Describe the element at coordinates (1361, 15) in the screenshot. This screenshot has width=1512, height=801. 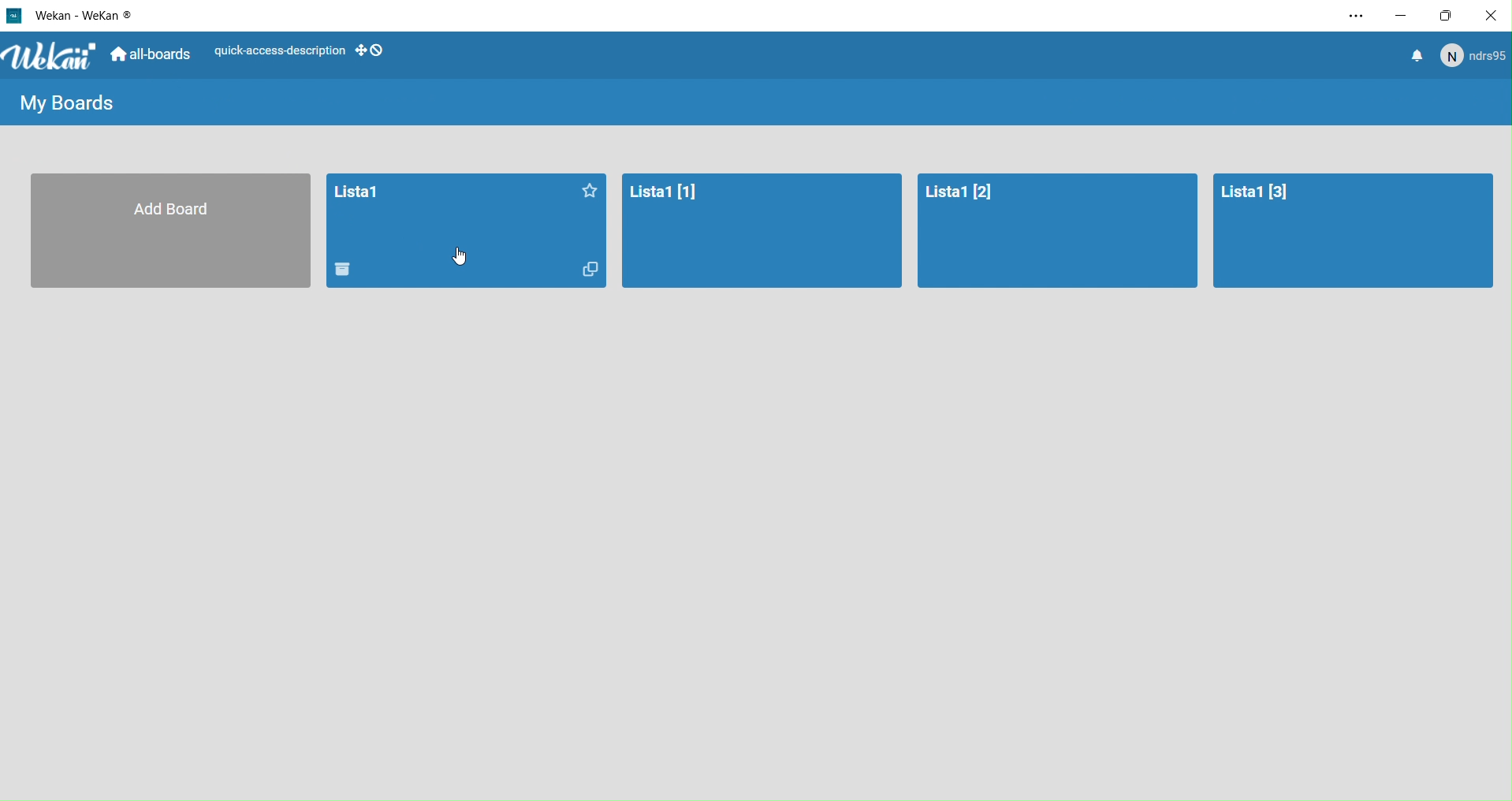
I see `Settings and More` at that location.